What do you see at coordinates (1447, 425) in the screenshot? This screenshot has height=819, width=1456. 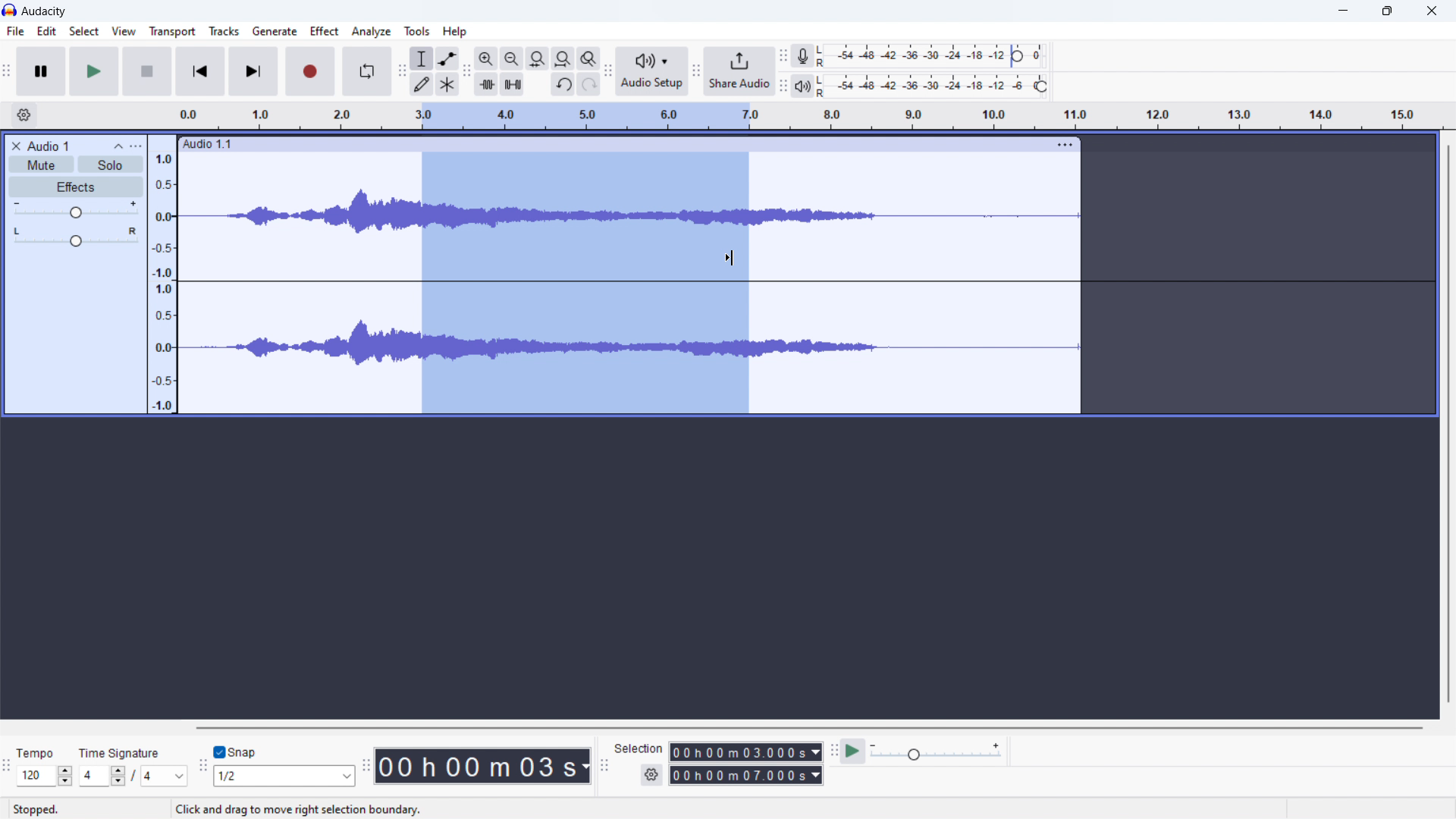 I see `vertical scrollbar` at bounding box center [1447, 425].